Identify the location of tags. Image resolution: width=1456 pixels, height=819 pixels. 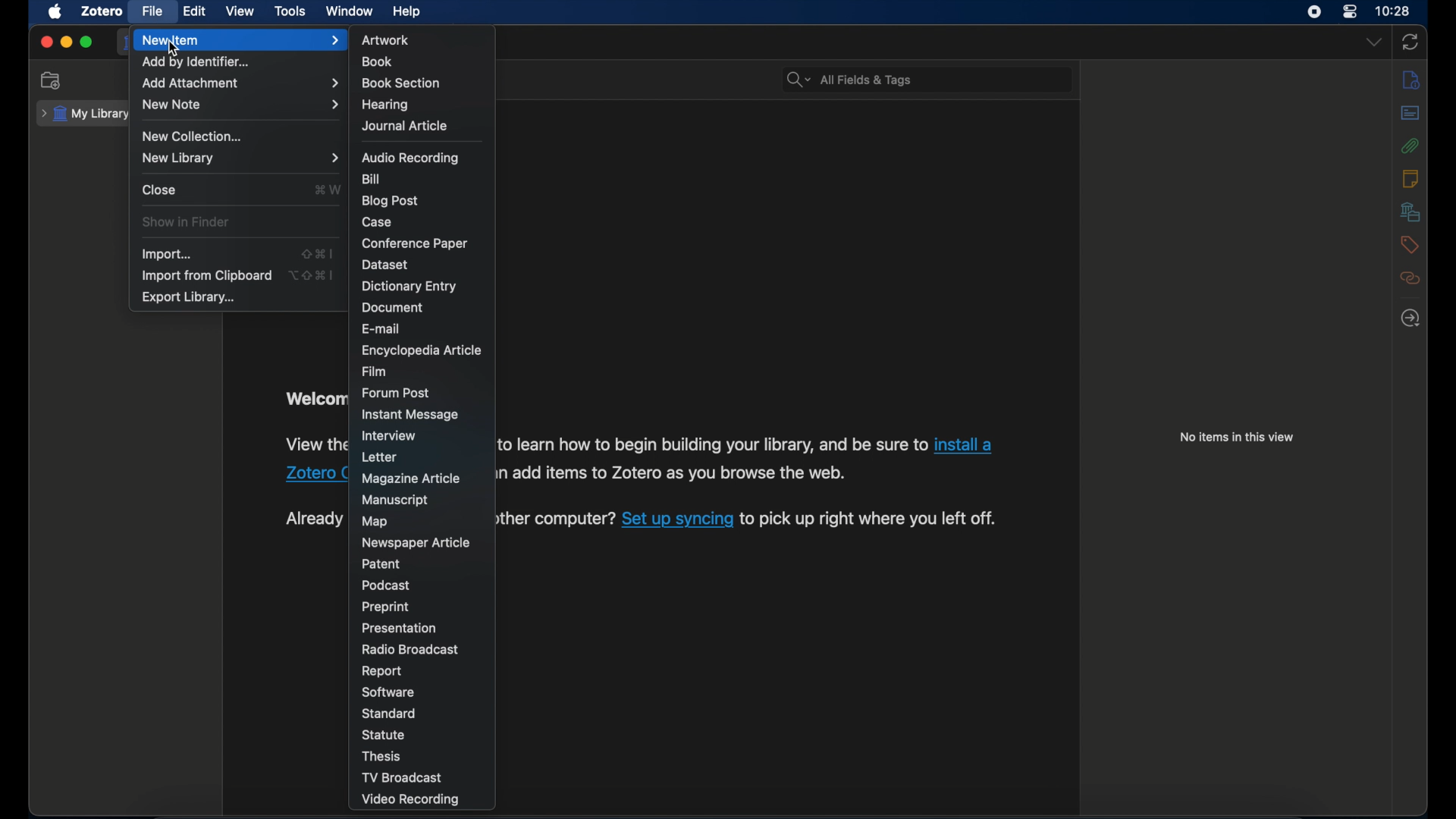
(1409, 246).